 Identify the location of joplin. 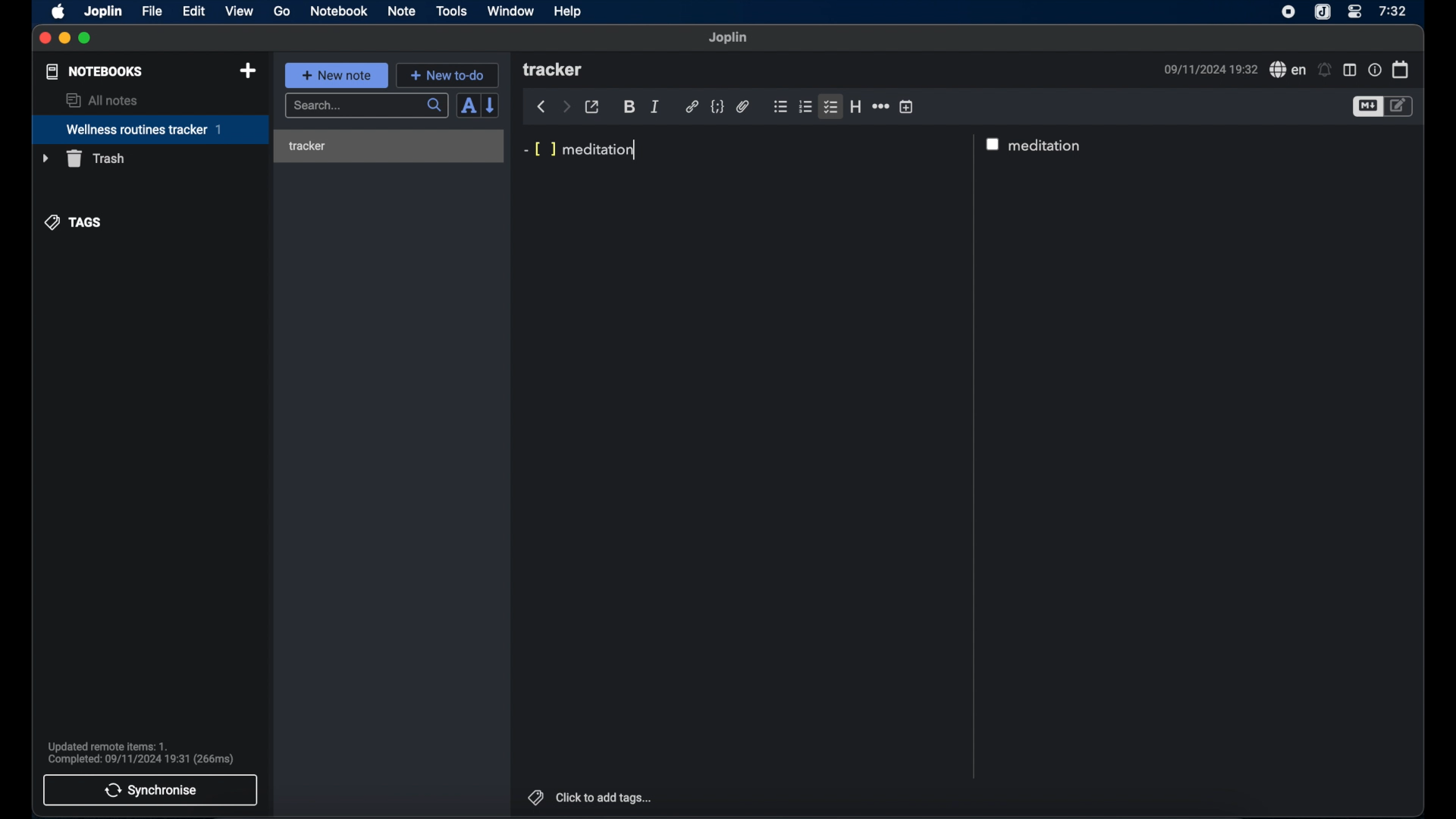
(104, 12).